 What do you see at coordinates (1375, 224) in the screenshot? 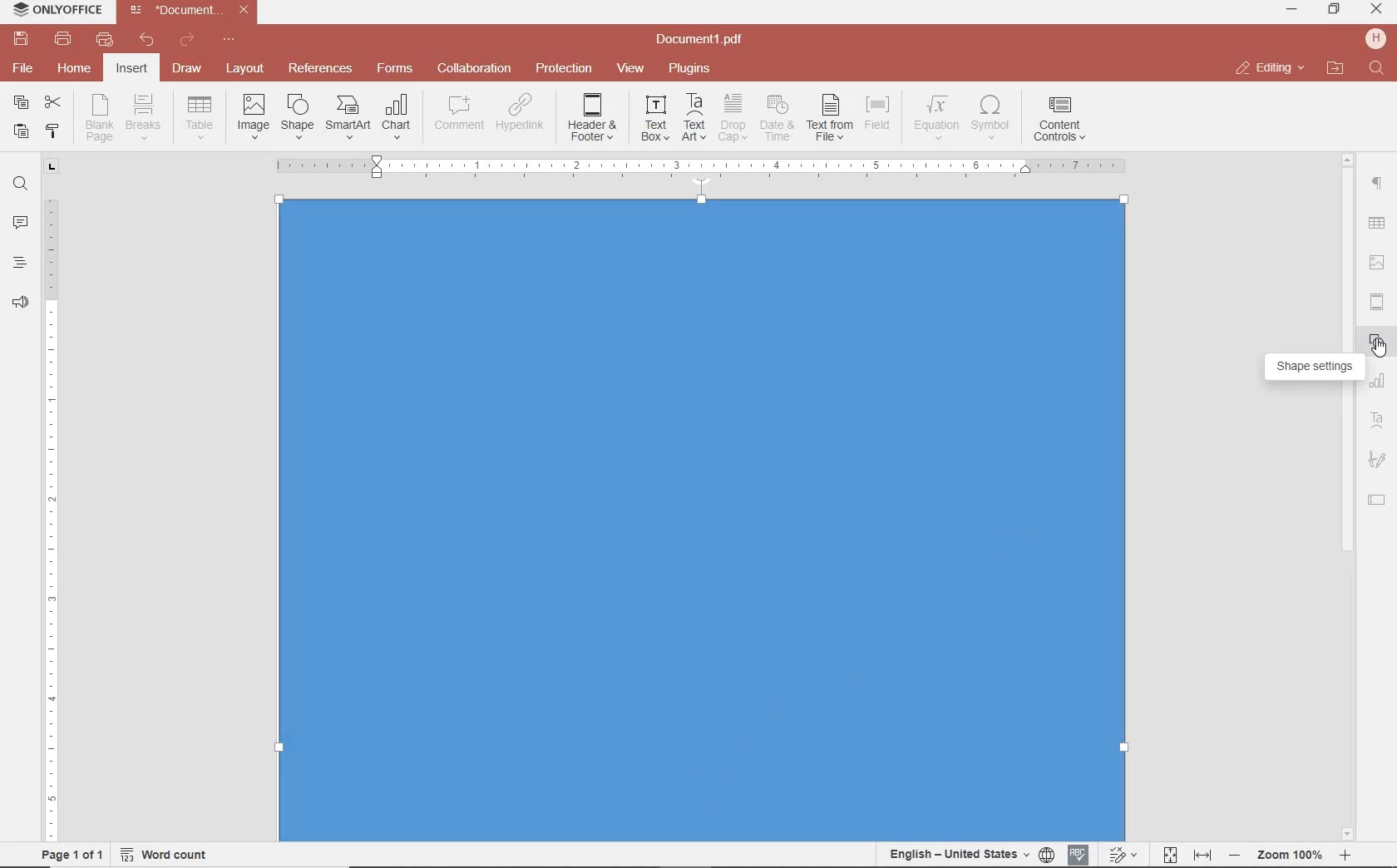
I see `` at bounding box center [1375, 224].